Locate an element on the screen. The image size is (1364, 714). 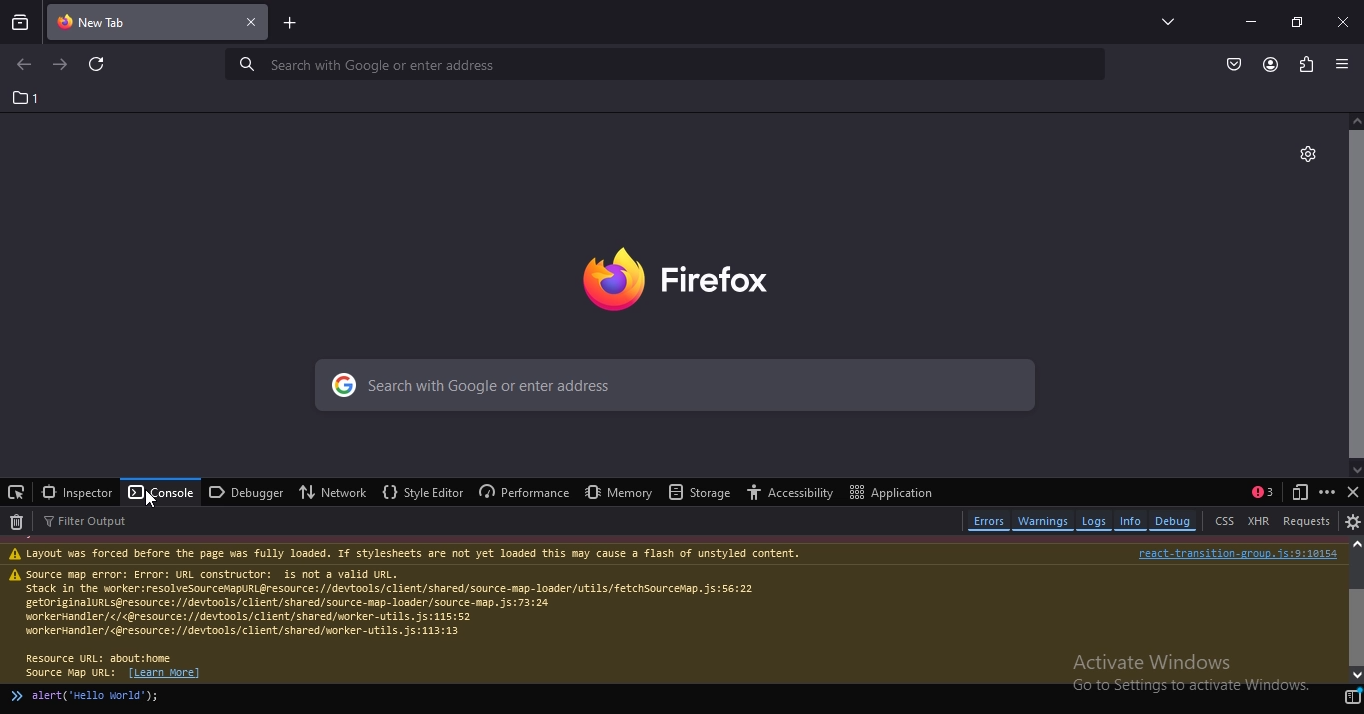
style editor is located at coordinates (424, 492).